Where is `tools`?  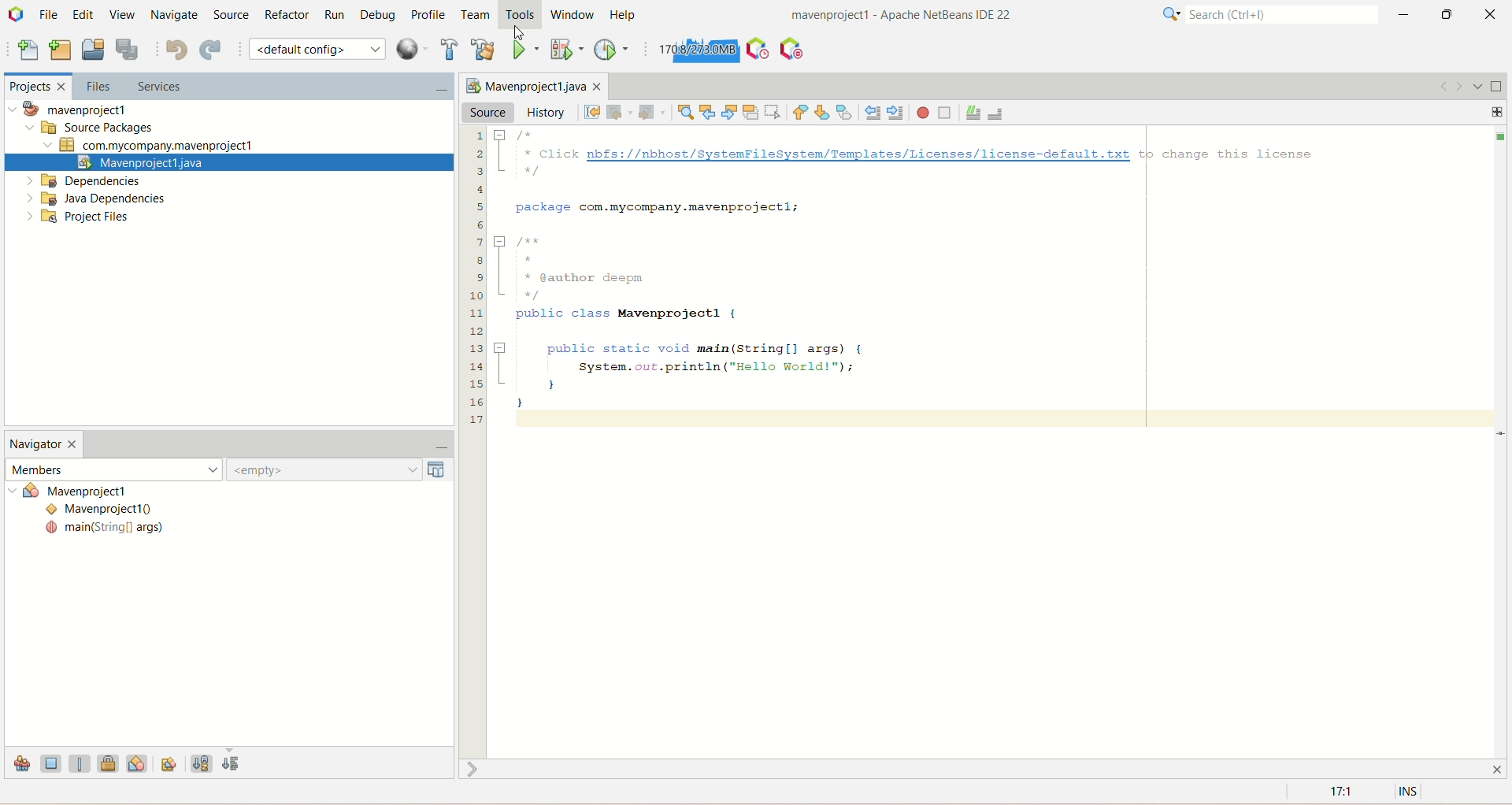 tools is located at coordinates (521, 16).